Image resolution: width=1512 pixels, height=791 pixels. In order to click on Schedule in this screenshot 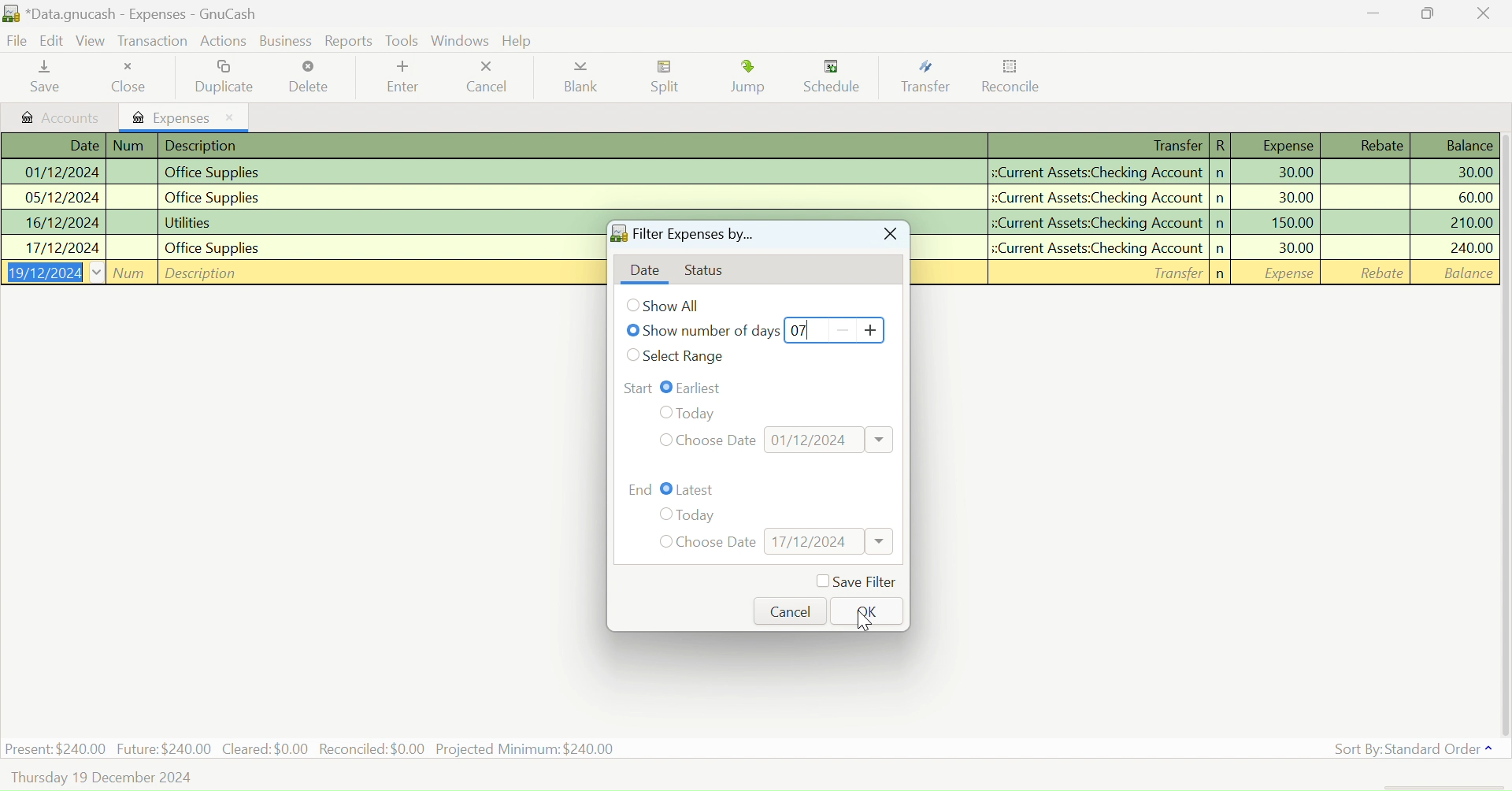, I will do `click(837, 77)`.